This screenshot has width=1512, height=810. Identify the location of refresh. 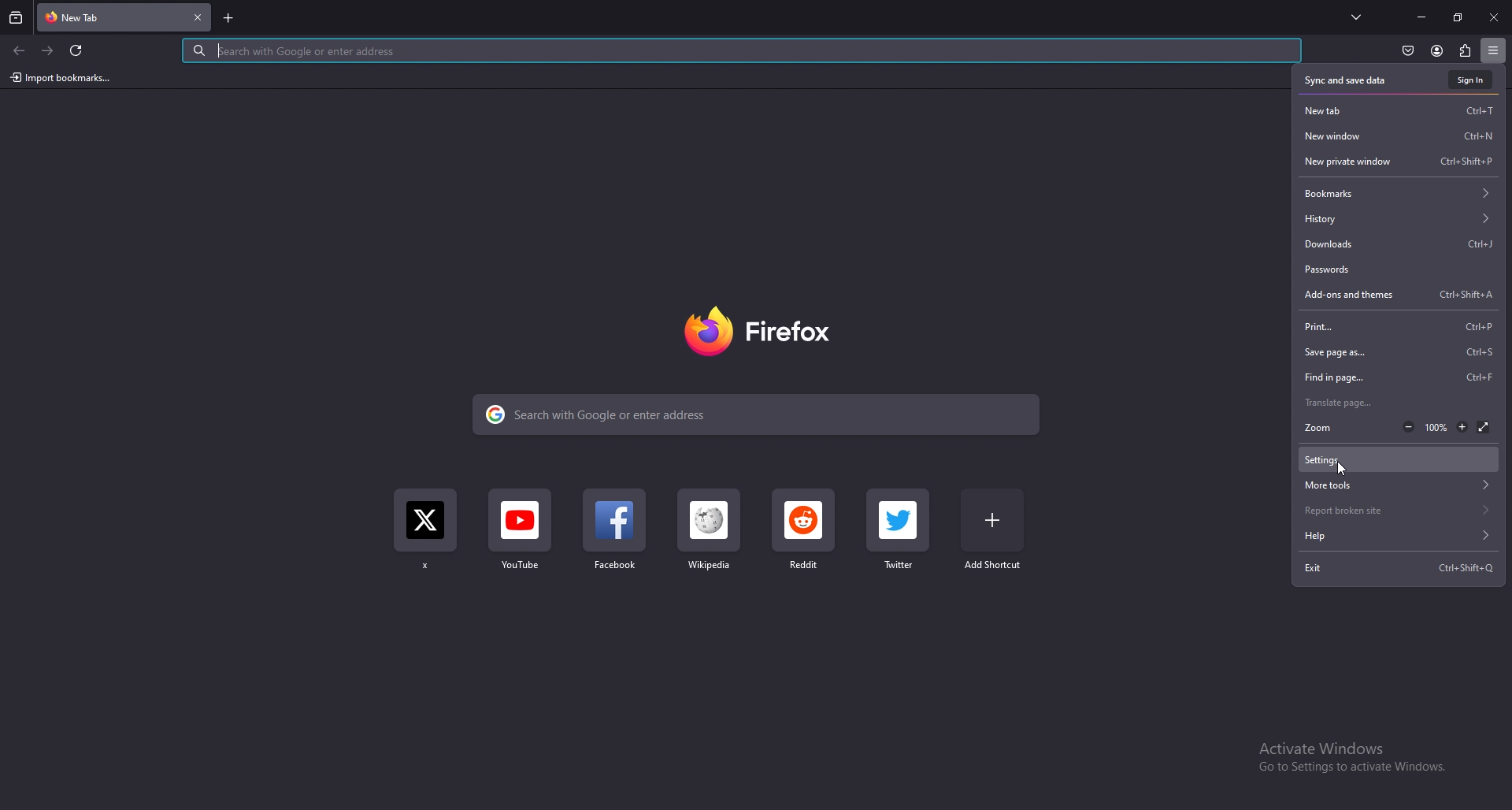
(77, 50).